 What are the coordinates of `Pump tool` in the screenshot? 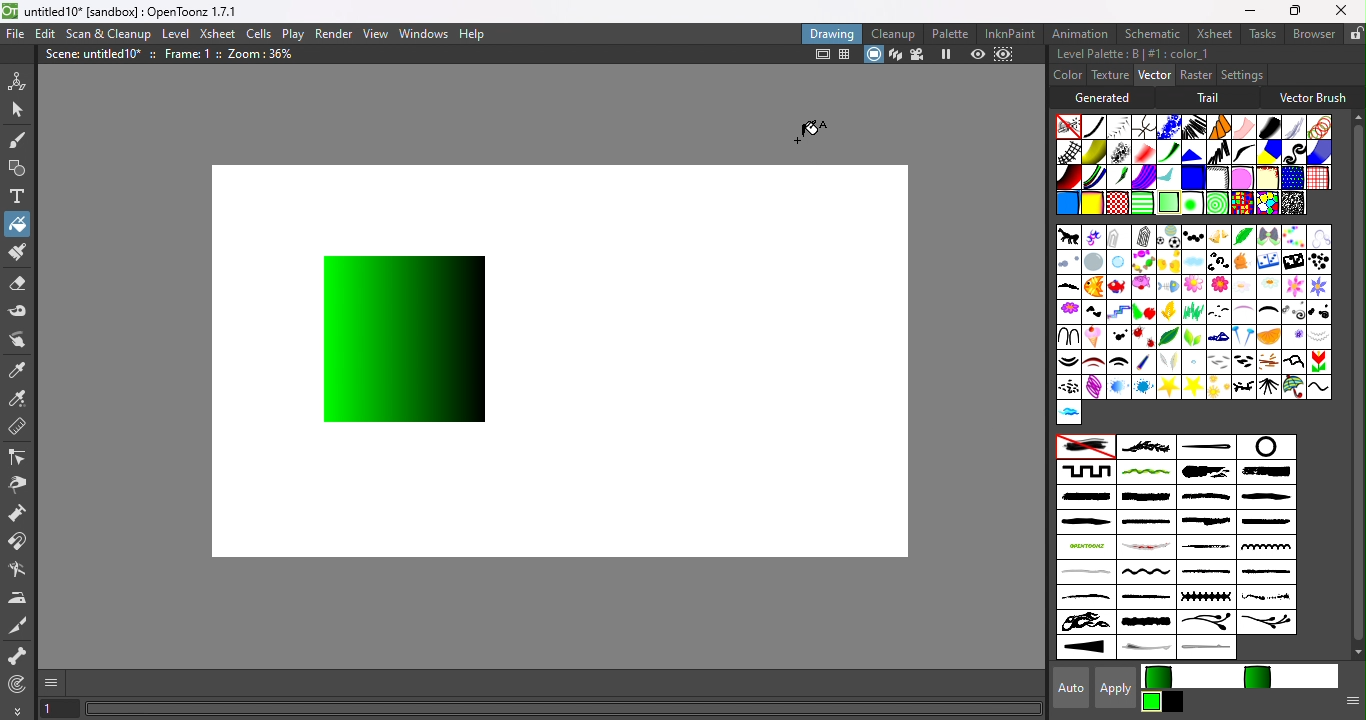 It's located at (24, 513).